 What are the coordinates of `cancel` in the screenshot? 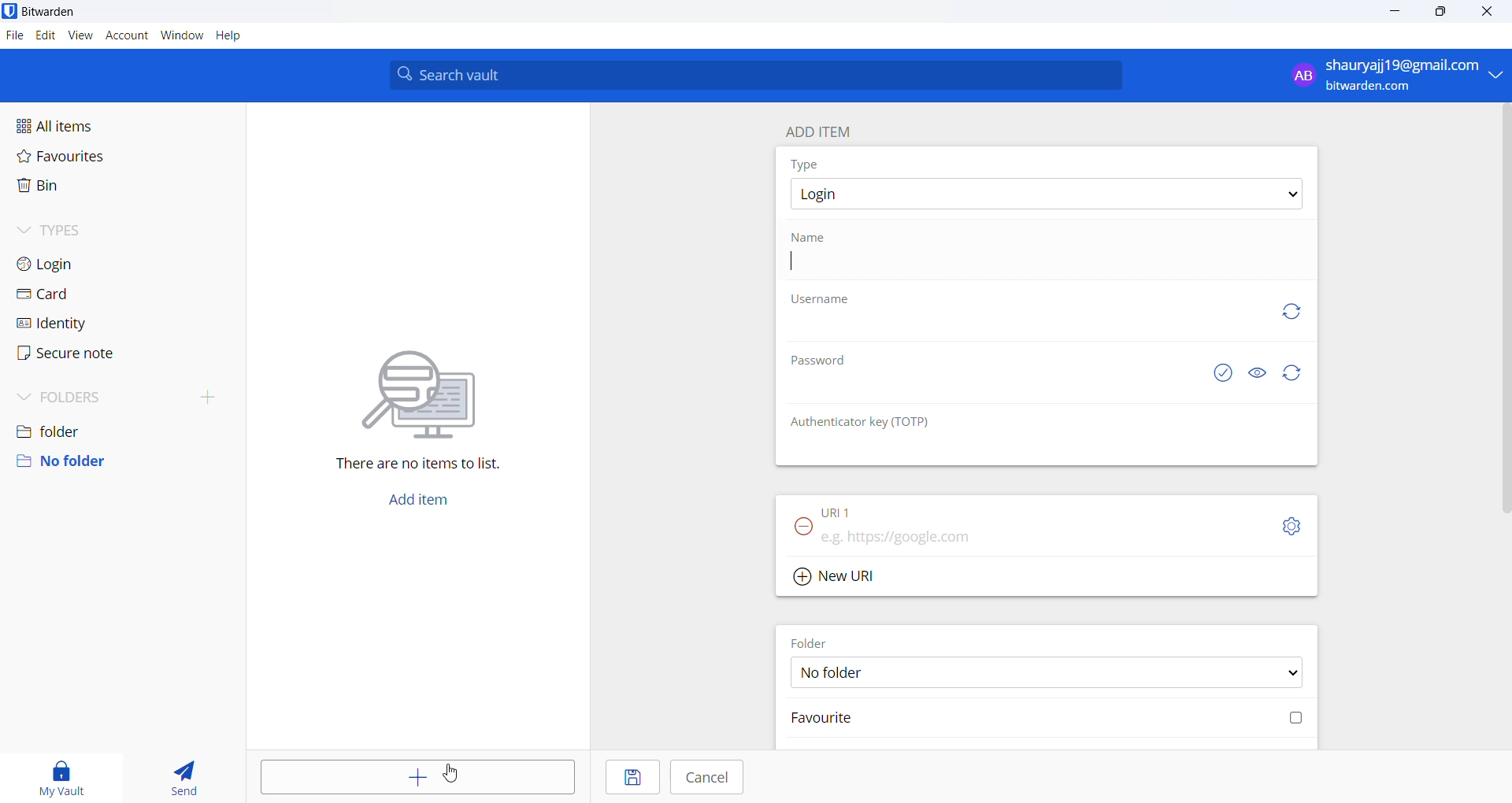 It's located at (710, 779).